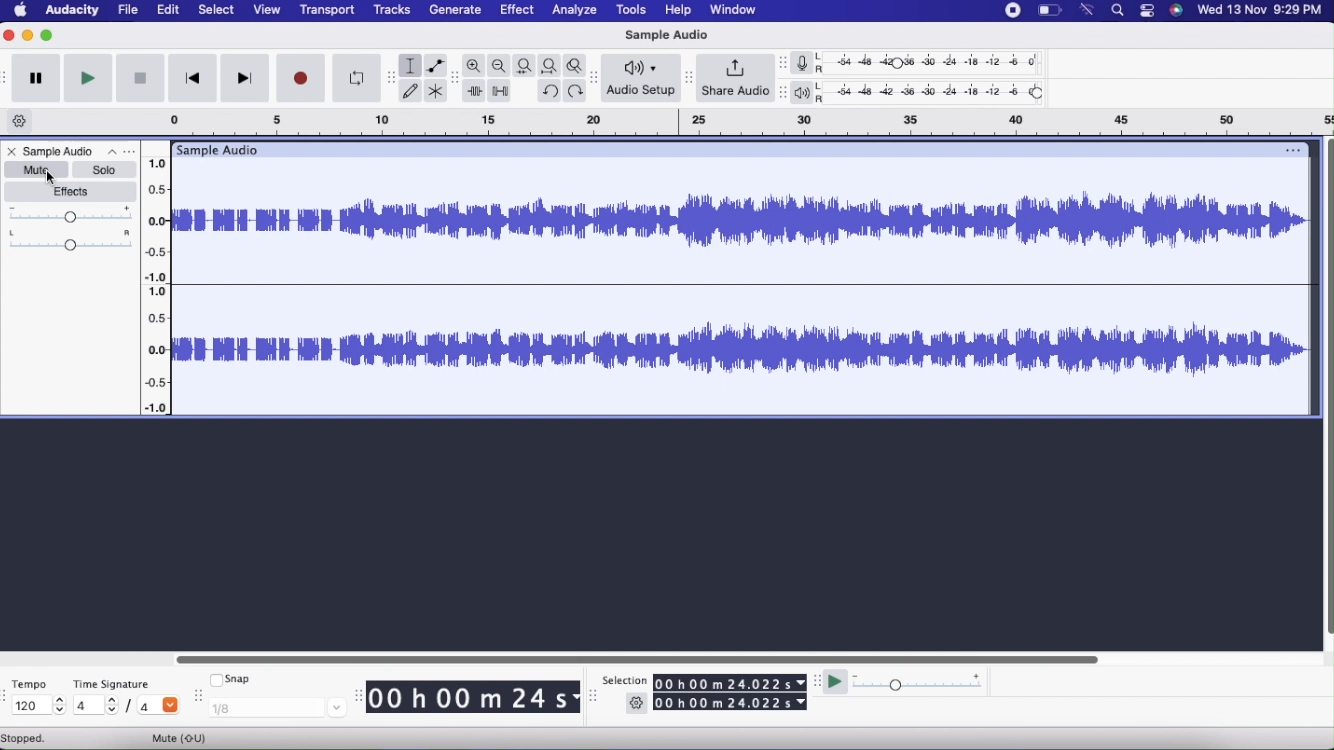  I want to click on Snap, so click(232, 680).